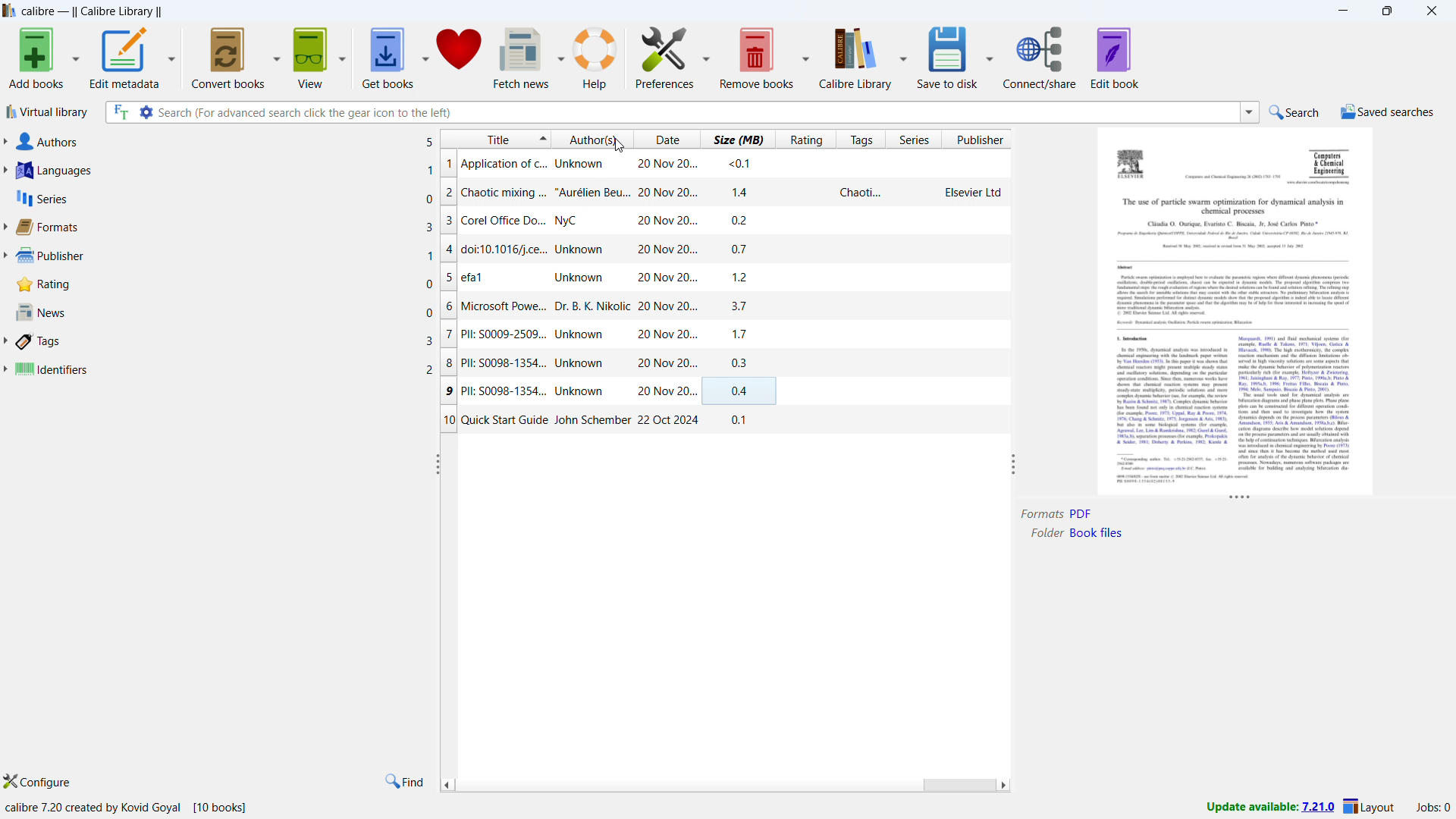 This screenshot has height=819, width=1456. What do you see at coordinates (746, 276) in the screenshot?
I see `1.2` at bounding box center [746, 276].